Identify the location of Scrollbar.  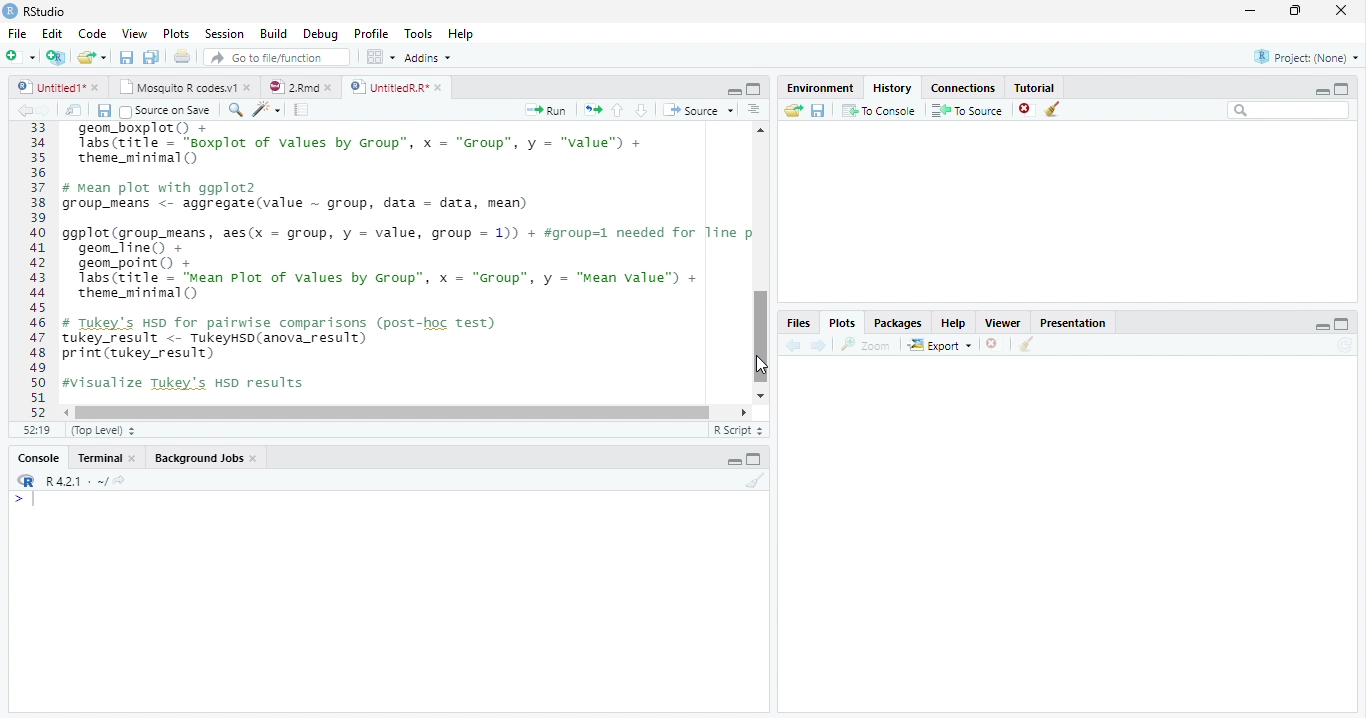
(408, 411).